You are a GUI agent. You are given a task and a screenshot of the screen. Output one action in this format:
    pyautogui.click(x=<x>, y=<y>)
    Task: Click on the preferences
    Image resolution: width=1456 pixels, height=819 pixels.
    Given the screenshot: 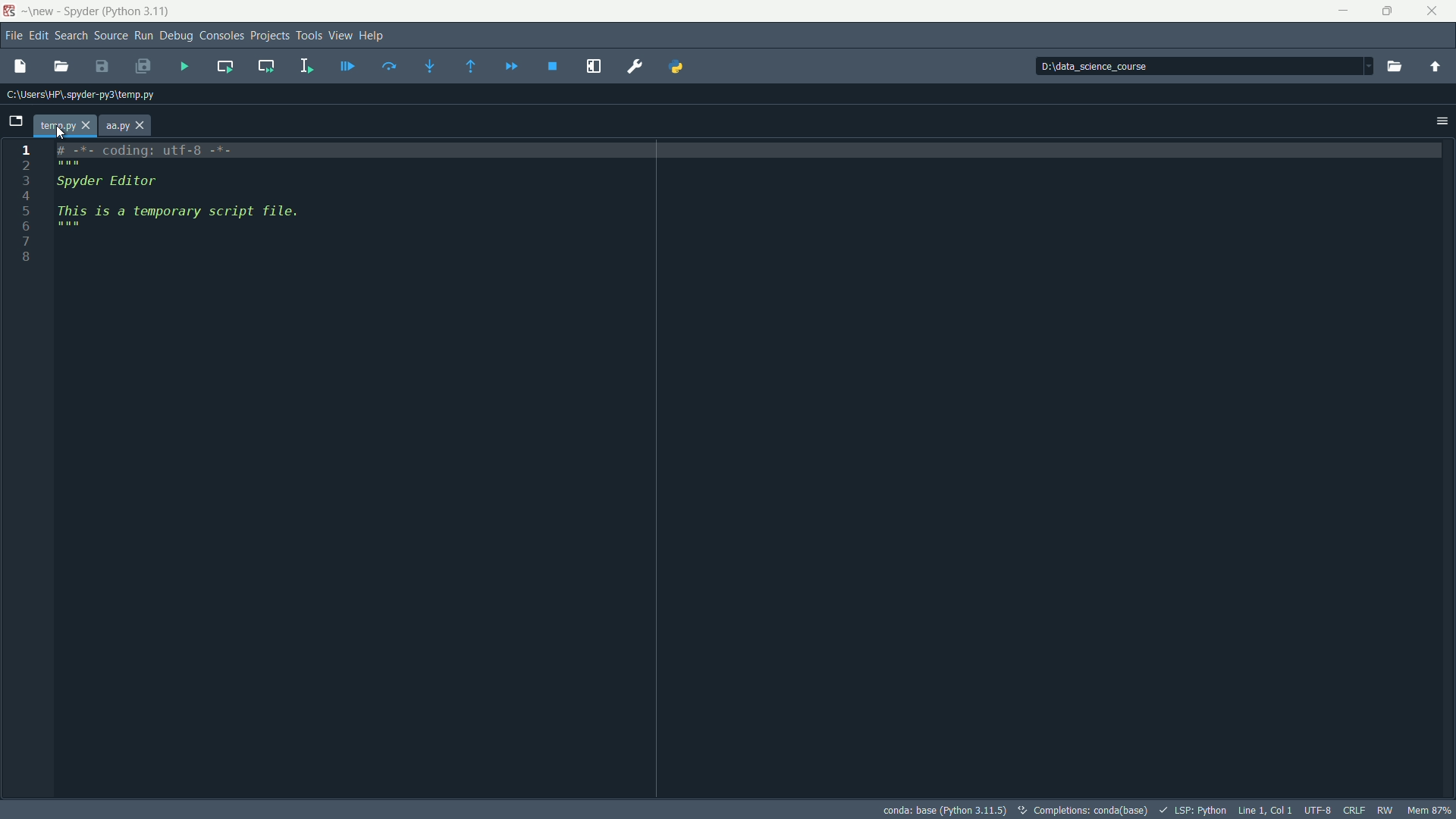 What is the action you would take?
    pyautogui.click(x=634, y=66)
    